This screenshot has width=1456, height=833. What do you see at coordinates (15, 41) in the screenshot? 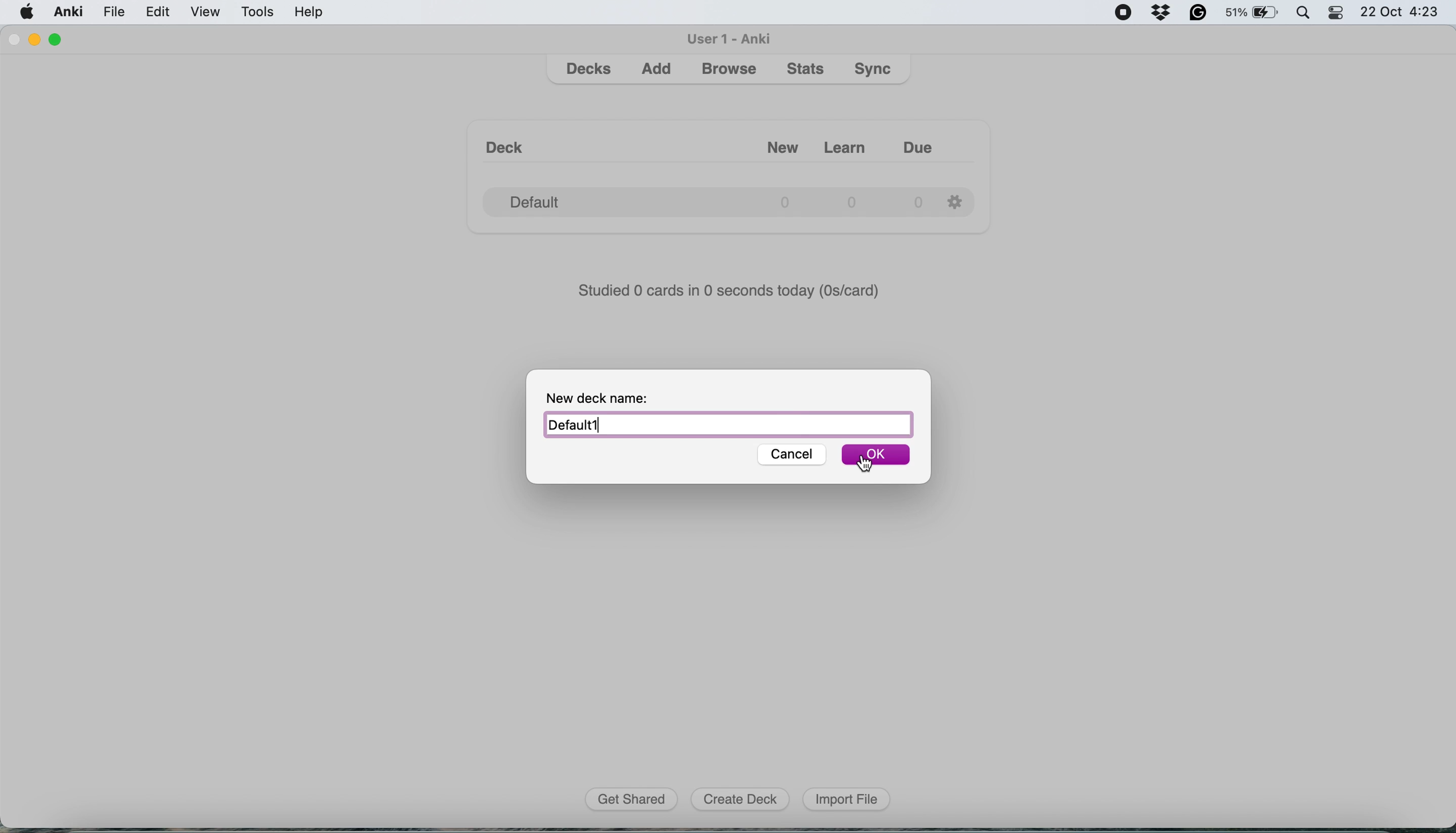
I see `close` at bounding box center [15, 41].